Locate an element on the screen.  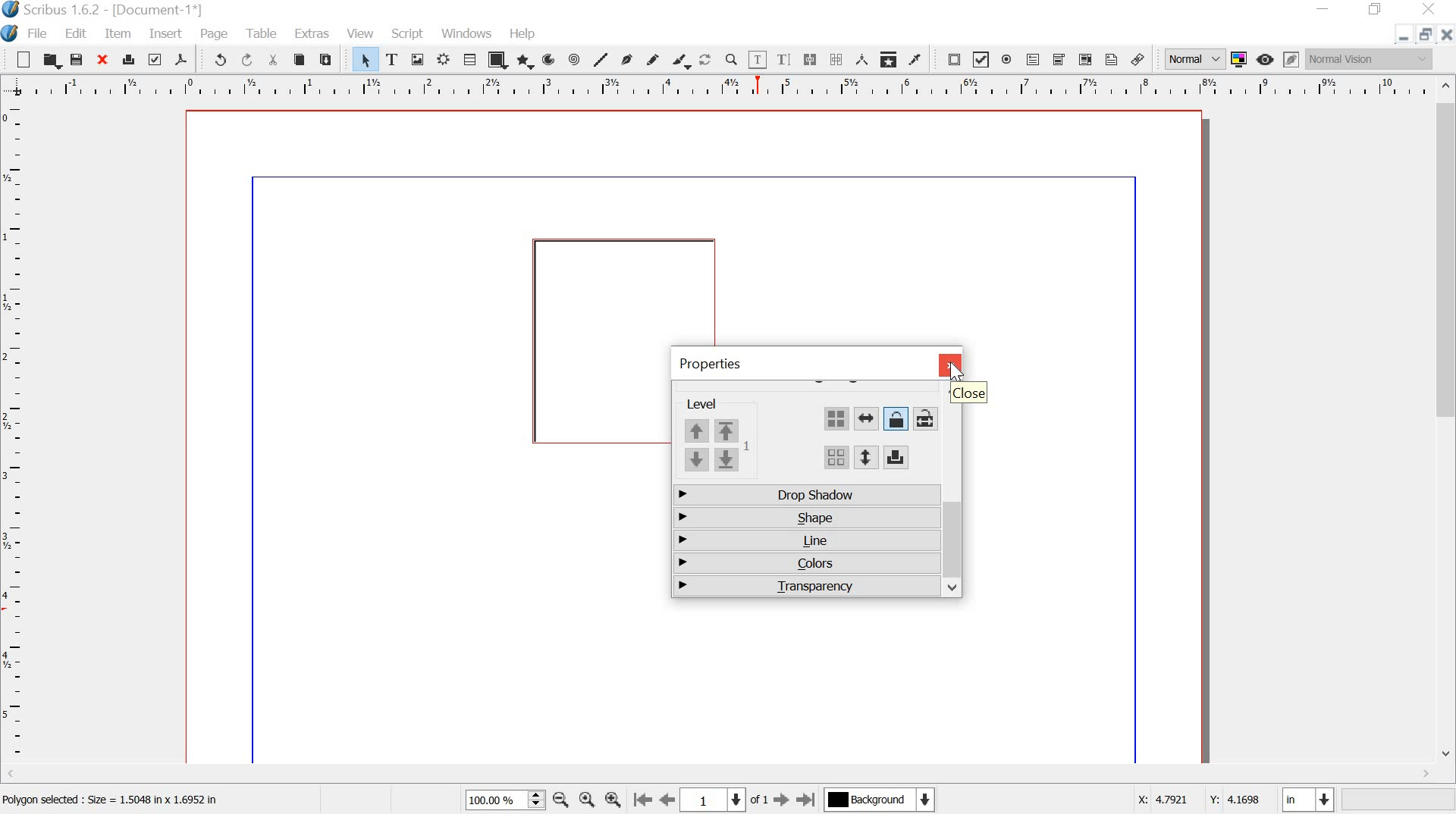
zoom in is located at coordinates (614, 798).